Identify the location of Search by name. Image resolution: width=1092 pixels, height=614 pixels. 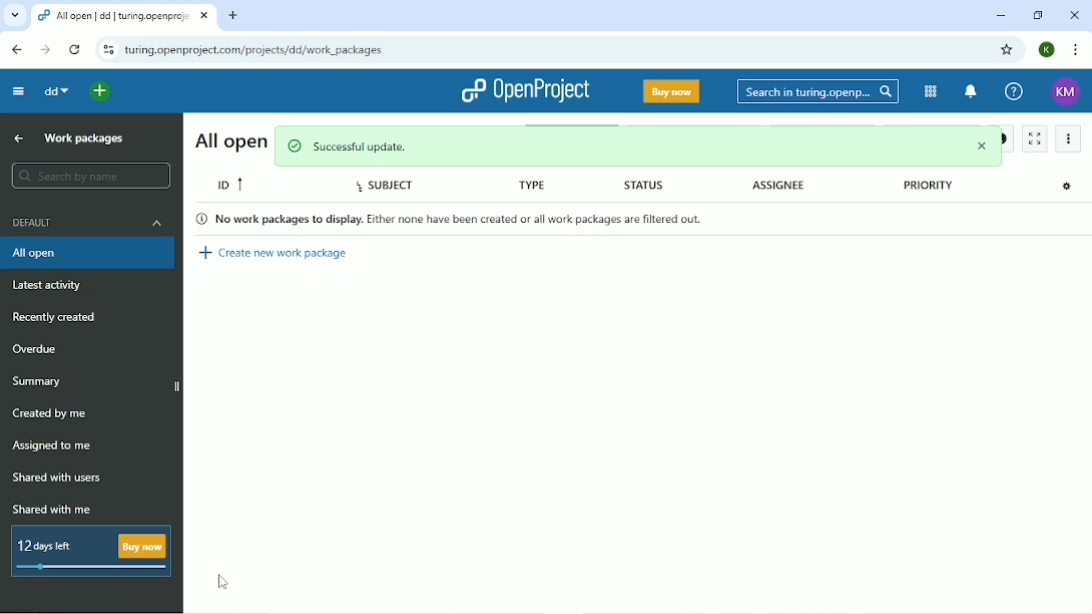
(93, 175).